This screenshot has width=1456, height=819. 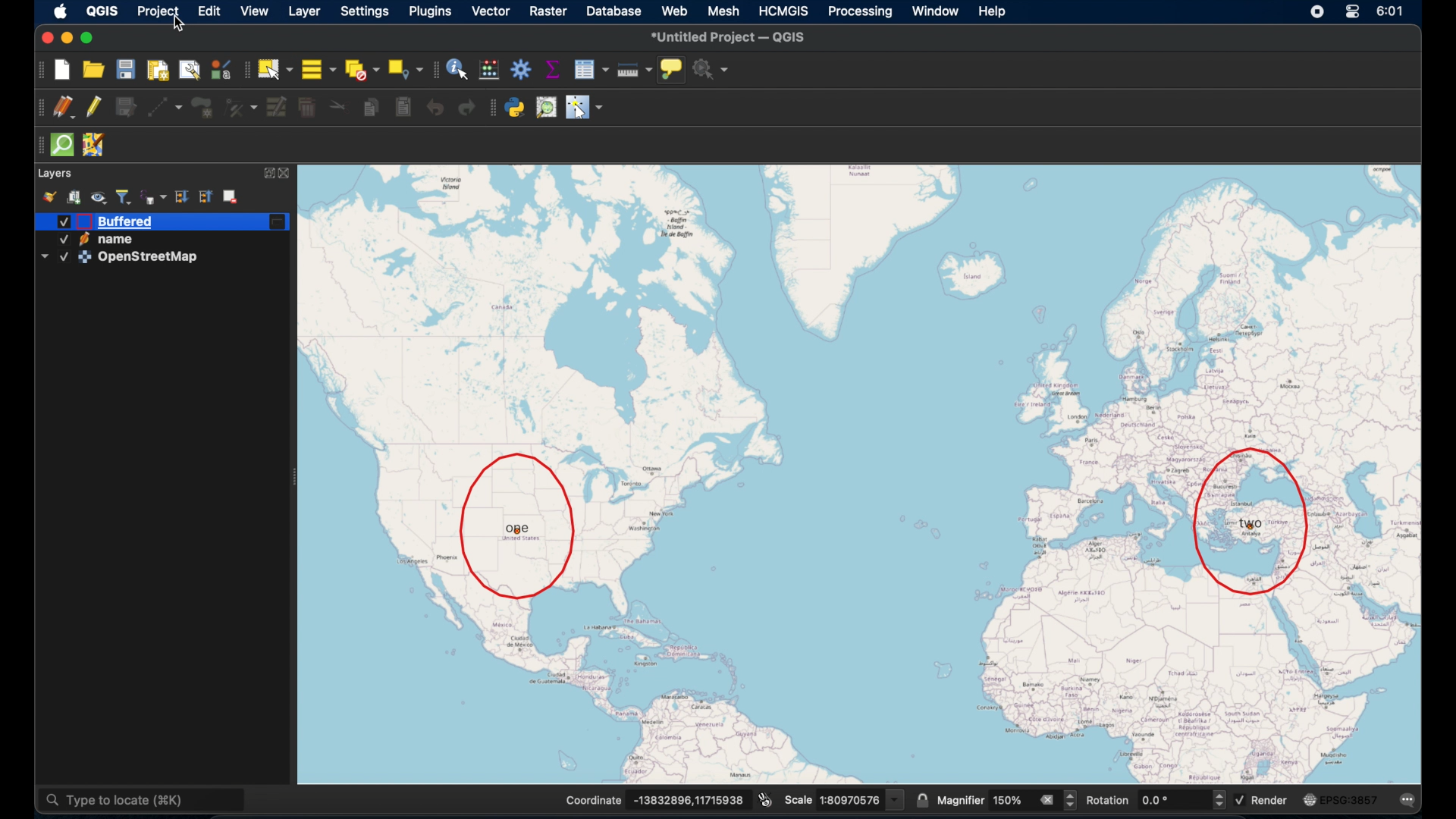 What do you see at coordinates (303, 11) in the screenshot?
I see `layer` at bounding box center [303, 11].